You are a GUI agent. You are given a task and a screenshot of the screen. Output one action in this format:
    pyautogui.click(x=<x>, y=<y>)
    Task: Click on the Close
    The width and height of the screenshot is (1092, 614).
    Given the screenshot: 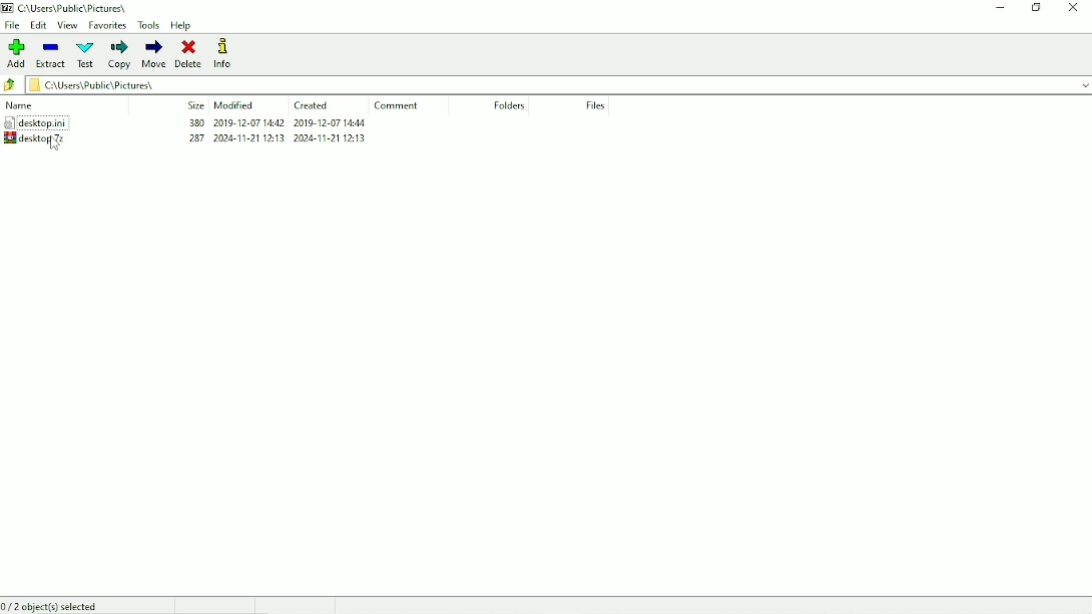 What is the action you would take?
    pyautogui.click(x=1073, y=7)
    